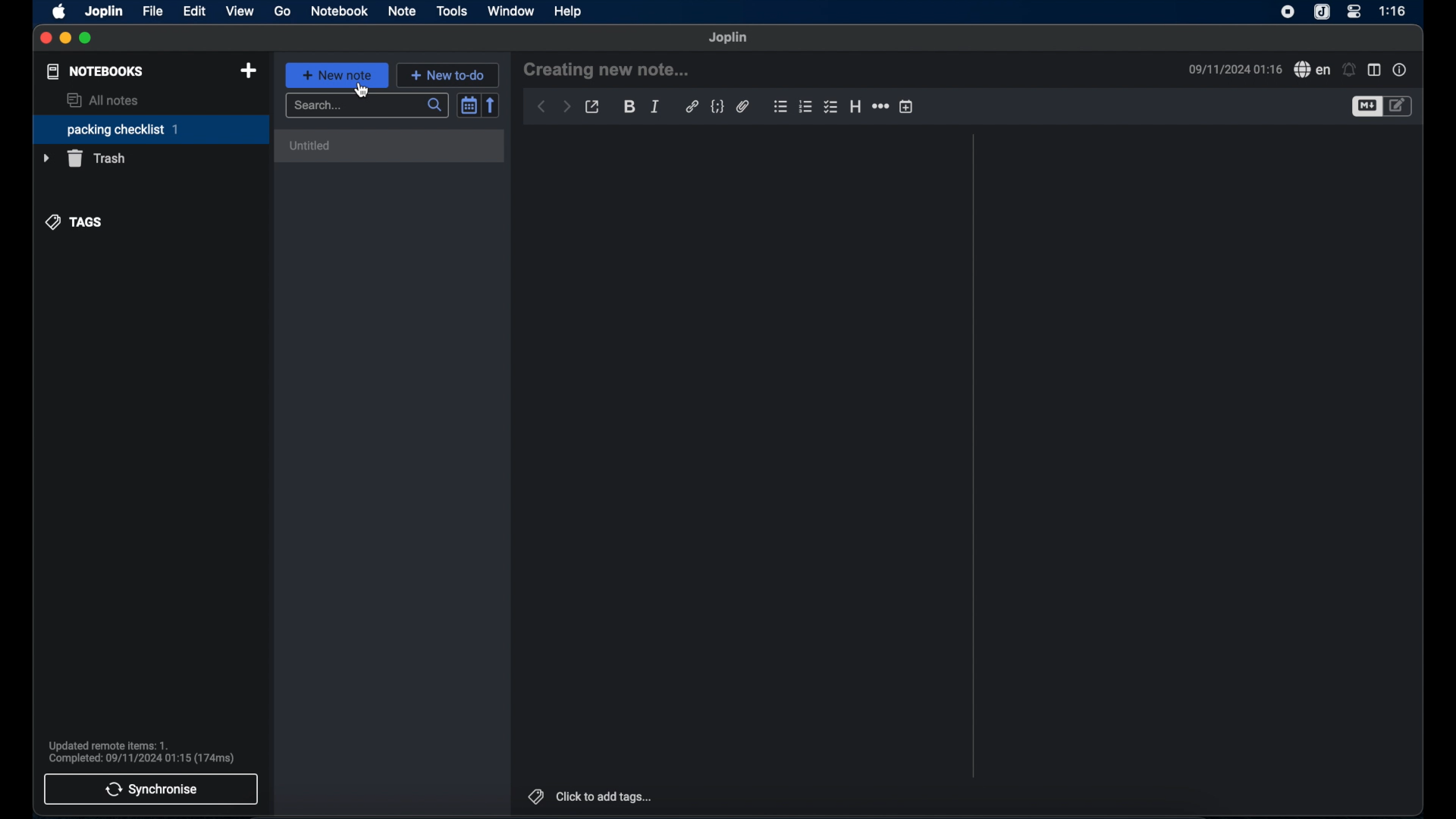  I want to click on spell check, so click(1312, 70).